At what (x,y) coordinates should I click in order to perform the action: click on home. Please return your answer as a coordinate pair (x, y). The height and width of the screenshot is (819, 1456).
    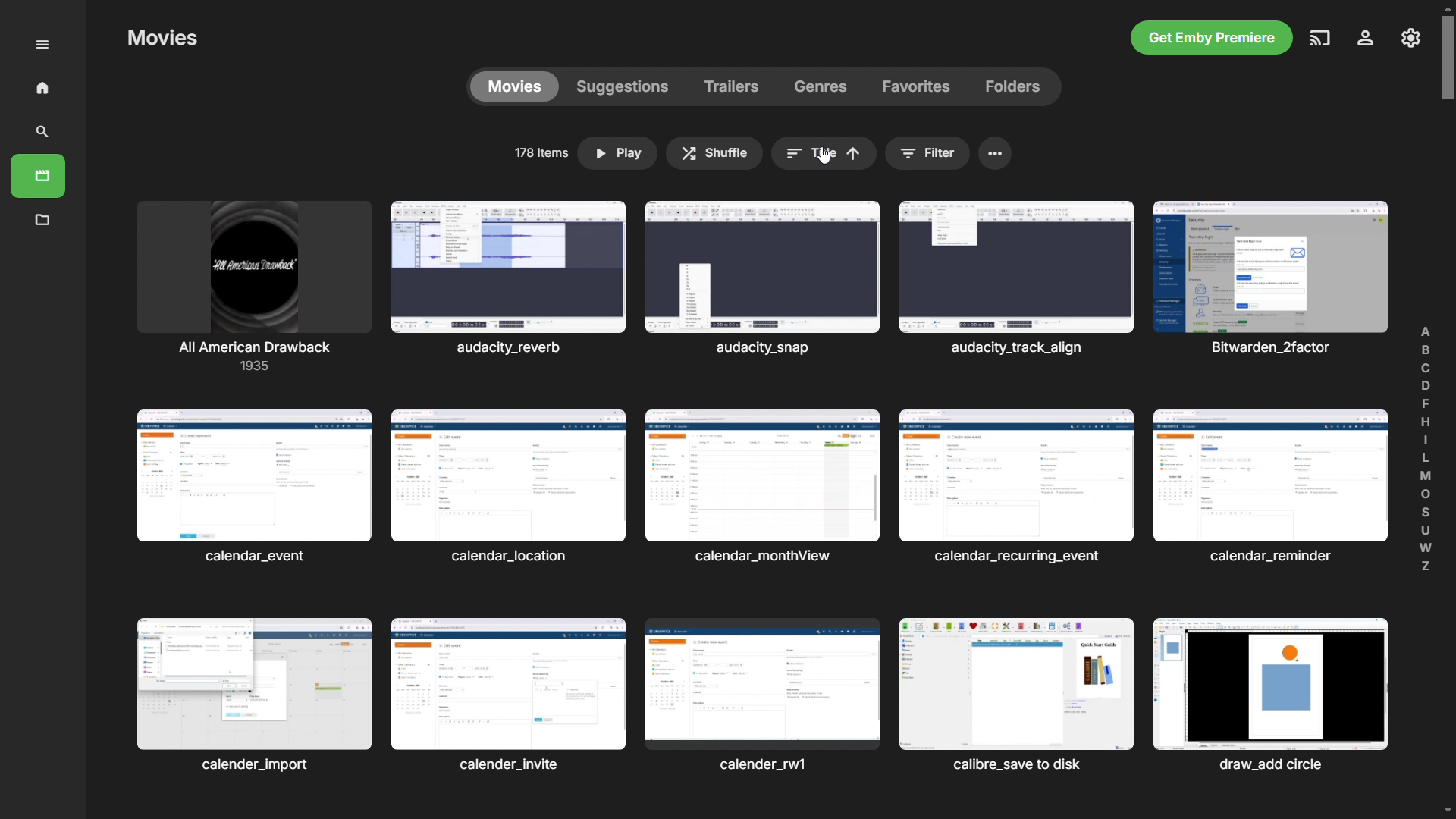
    Looking at the image, I should click on (39, 87).